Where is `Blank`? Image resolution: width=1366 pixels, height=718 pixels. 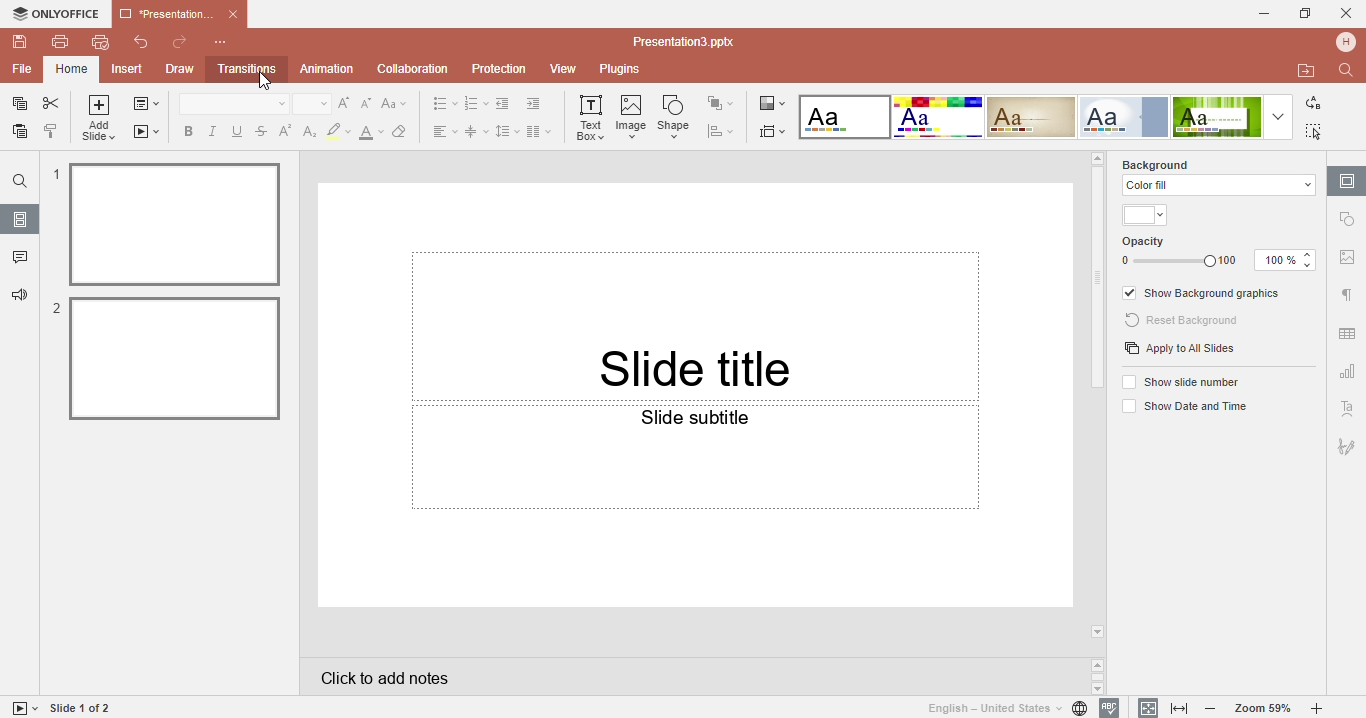 Blank is located at coordinates (844, 117).